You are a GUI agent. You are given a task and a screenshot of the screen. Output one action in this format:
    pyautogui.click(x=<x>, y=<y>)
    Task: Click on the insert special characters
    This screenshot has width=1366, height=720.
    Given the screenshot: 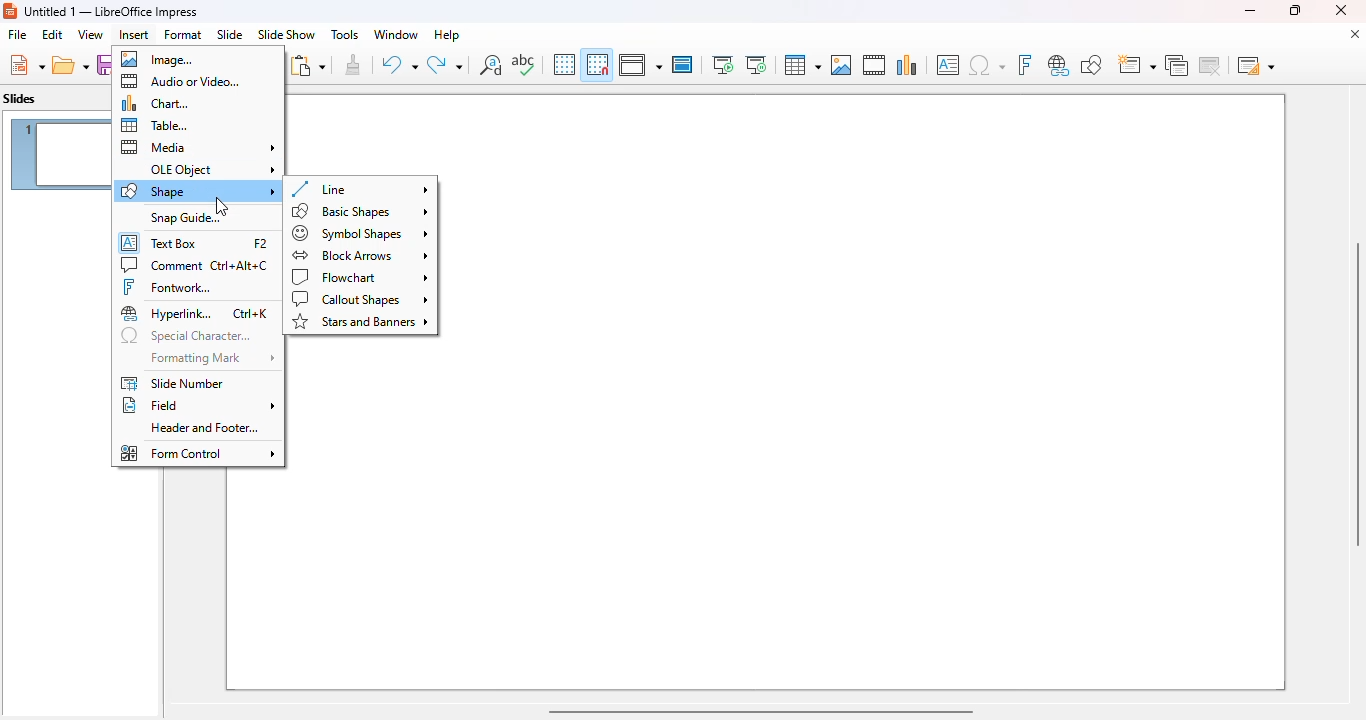 What is the action you would take?
    pyautogui.click(x=987, y=65)
    